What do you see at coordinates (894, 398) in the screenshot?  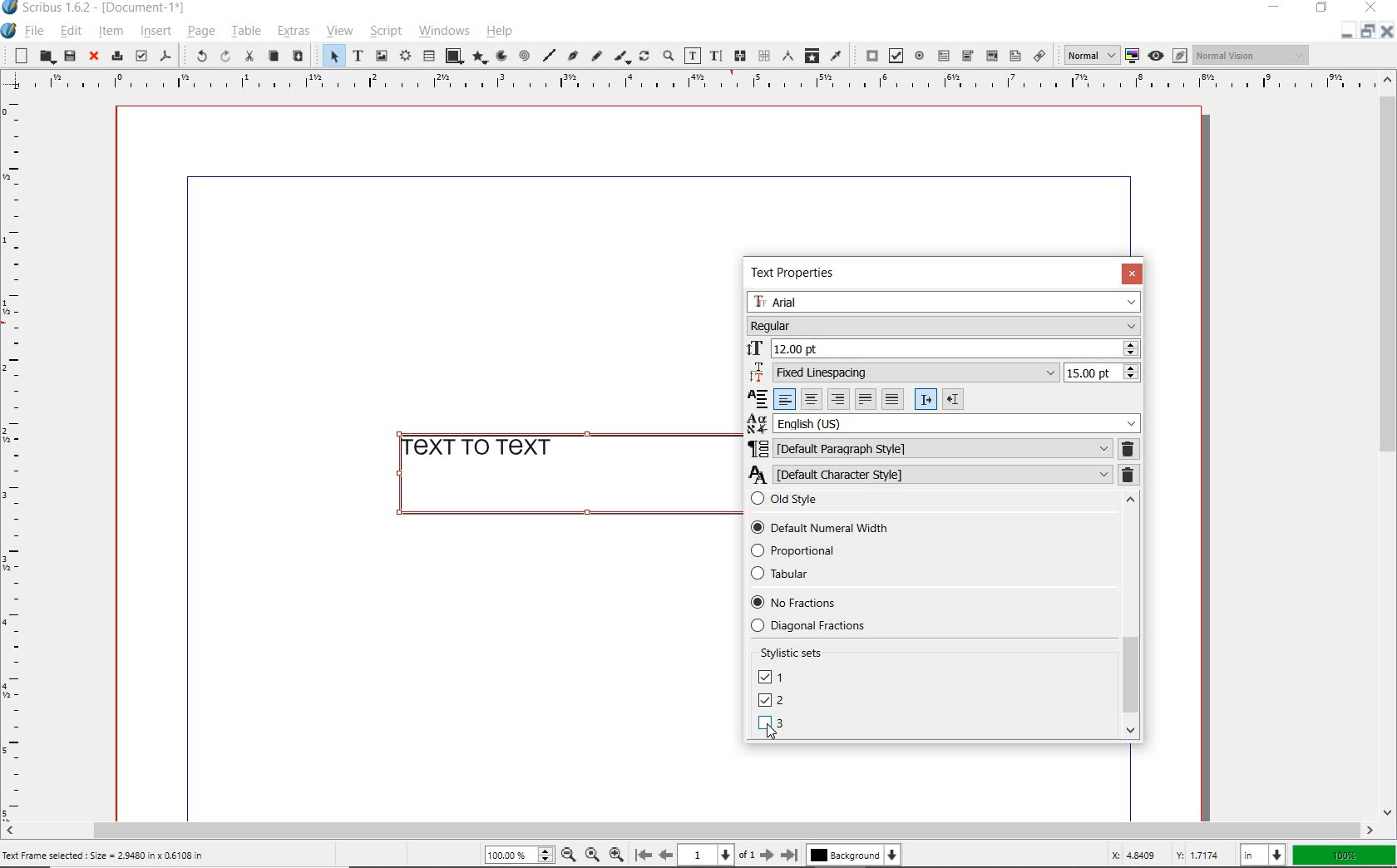 I see `Forced justified` at bounding box center [894, 398].